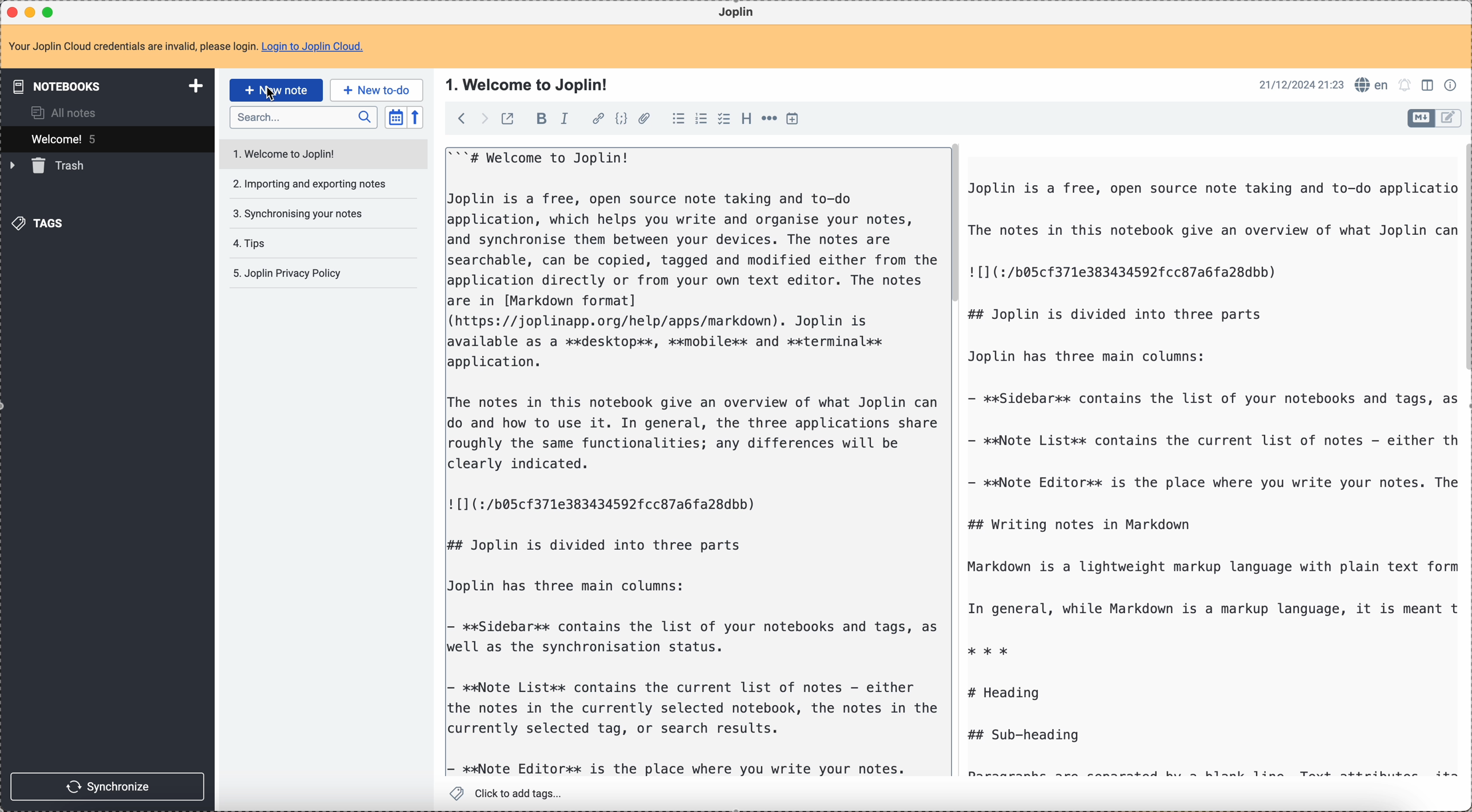 This screenshot has width=1472, height=812. I want to click on insert time, so click(792, 119).